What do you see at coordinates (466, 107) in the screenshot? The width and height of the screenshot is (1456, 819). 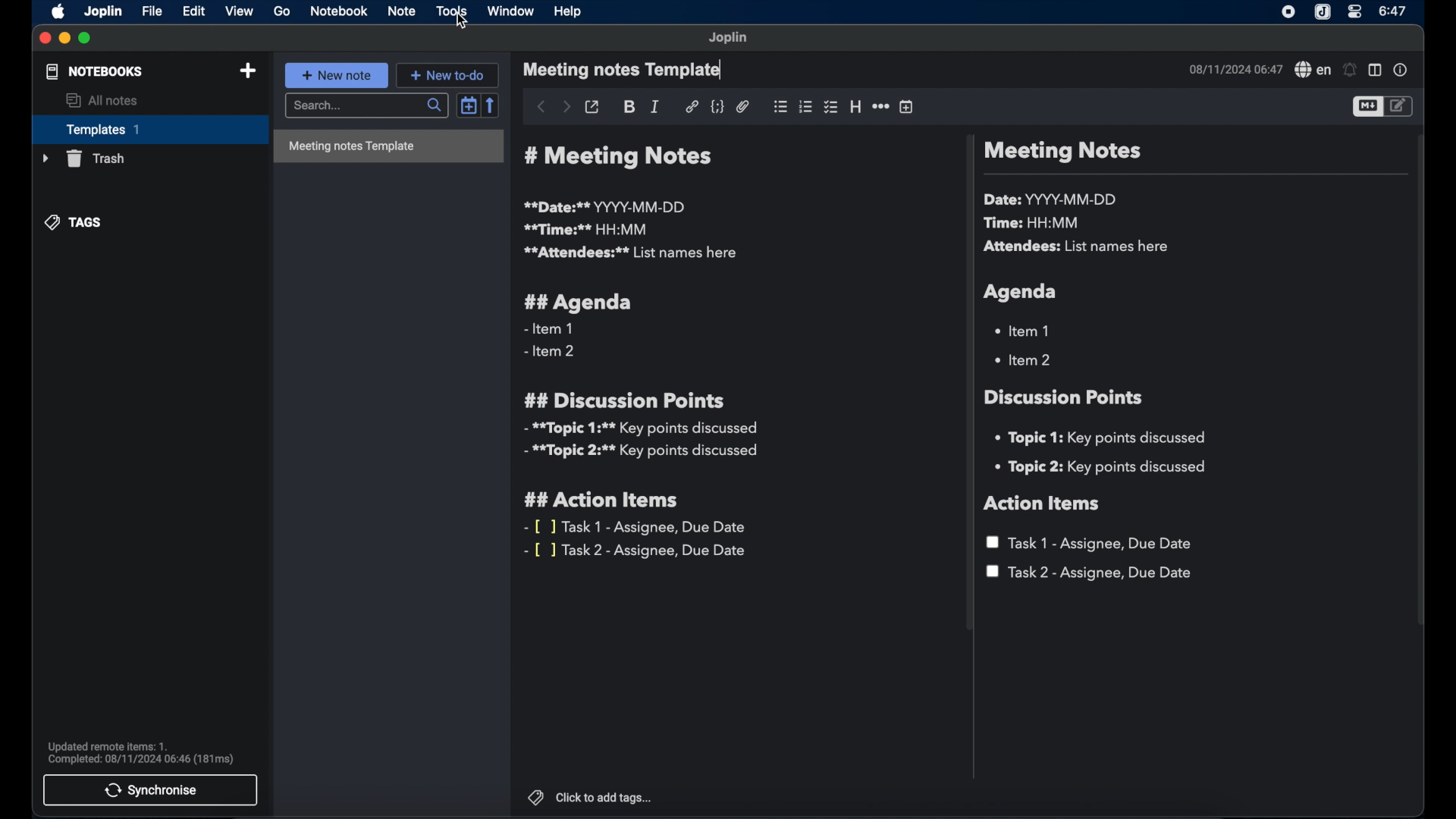 I see `toggle sort order  field` at bounding box center [466, 107].